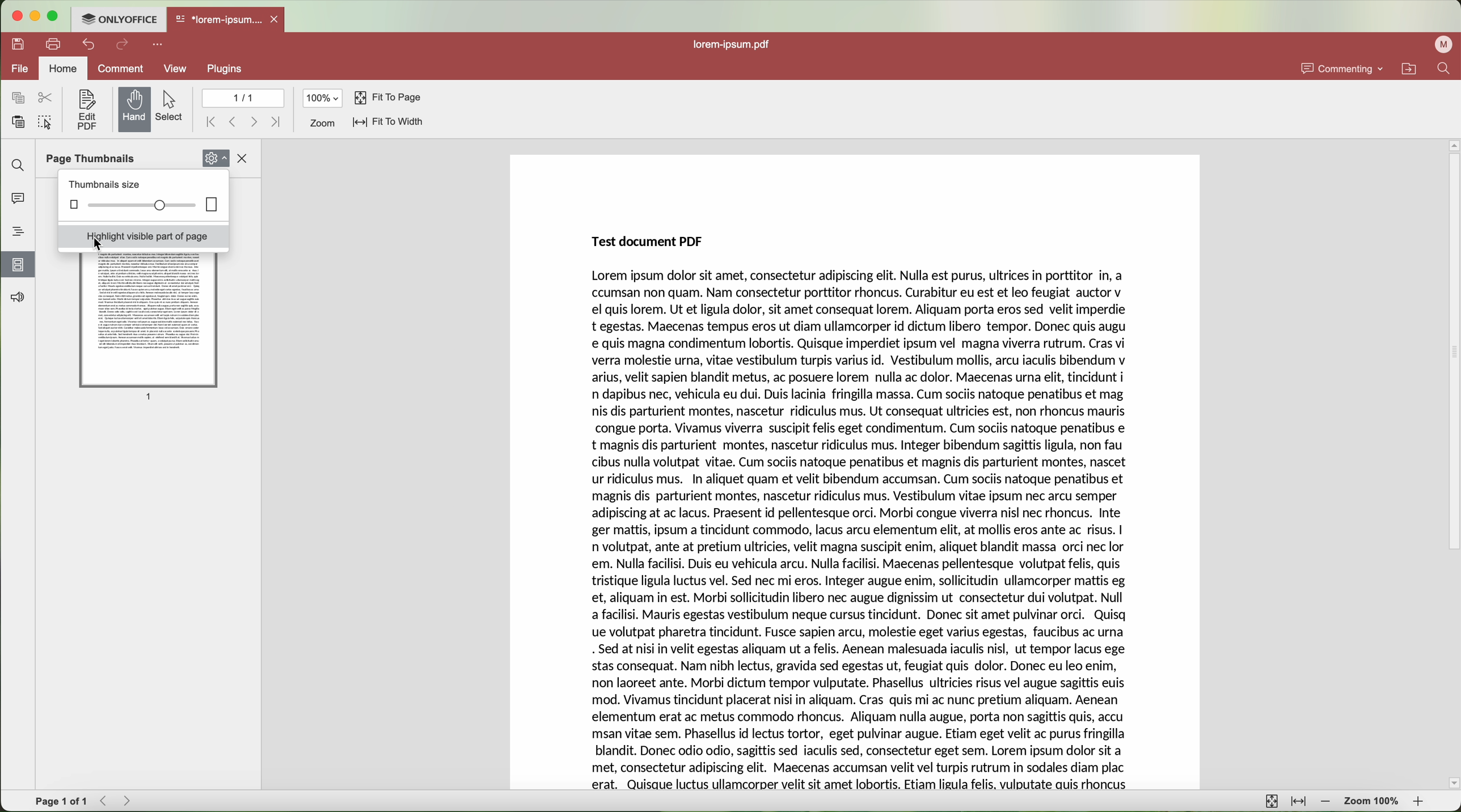  What do you see at coordinates (54, 43) in the screenshot?
I see `print` at bounding box center [54, 43].